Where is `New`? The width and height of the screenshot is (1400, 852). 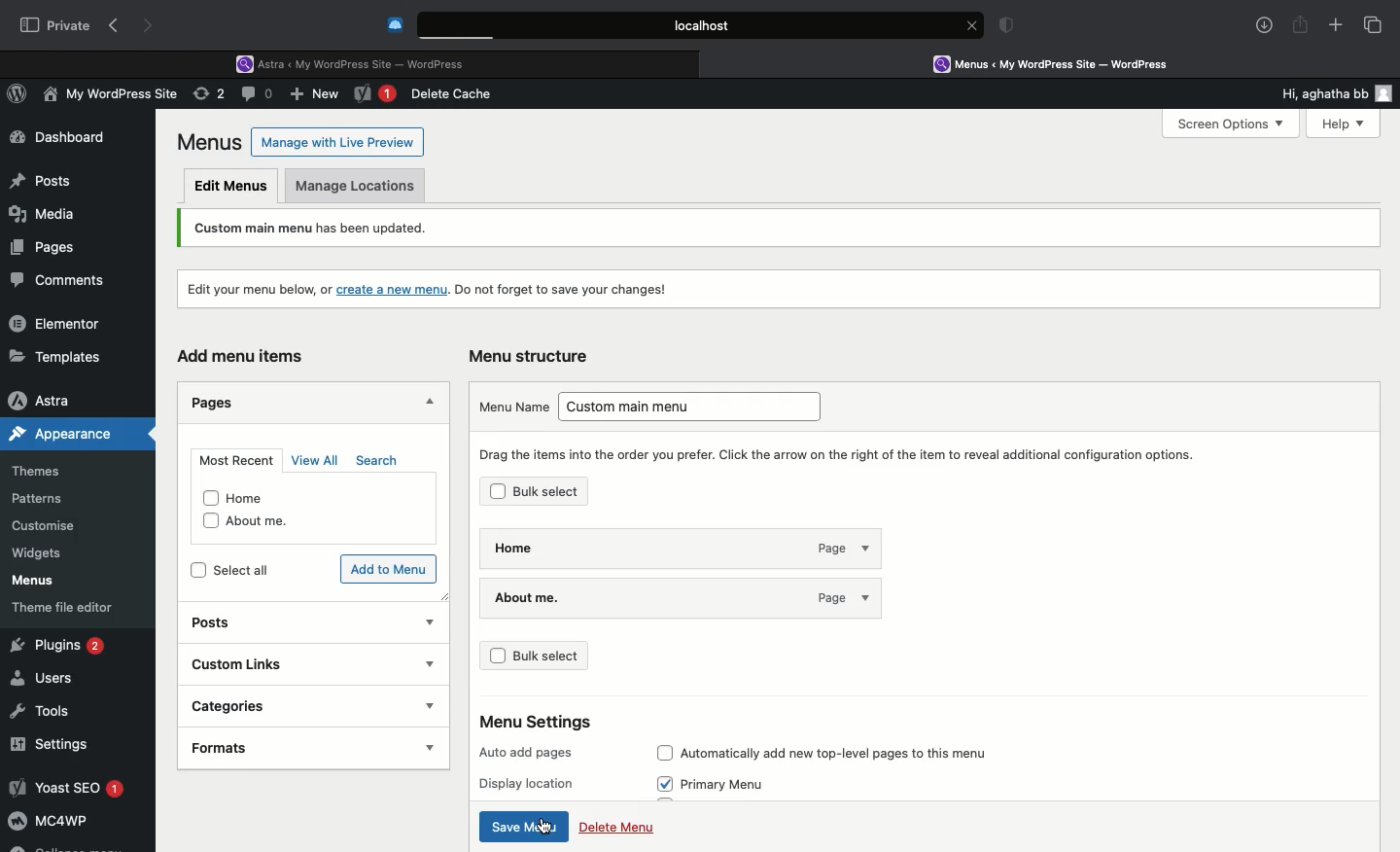 New is located at coordinates (317, 96).